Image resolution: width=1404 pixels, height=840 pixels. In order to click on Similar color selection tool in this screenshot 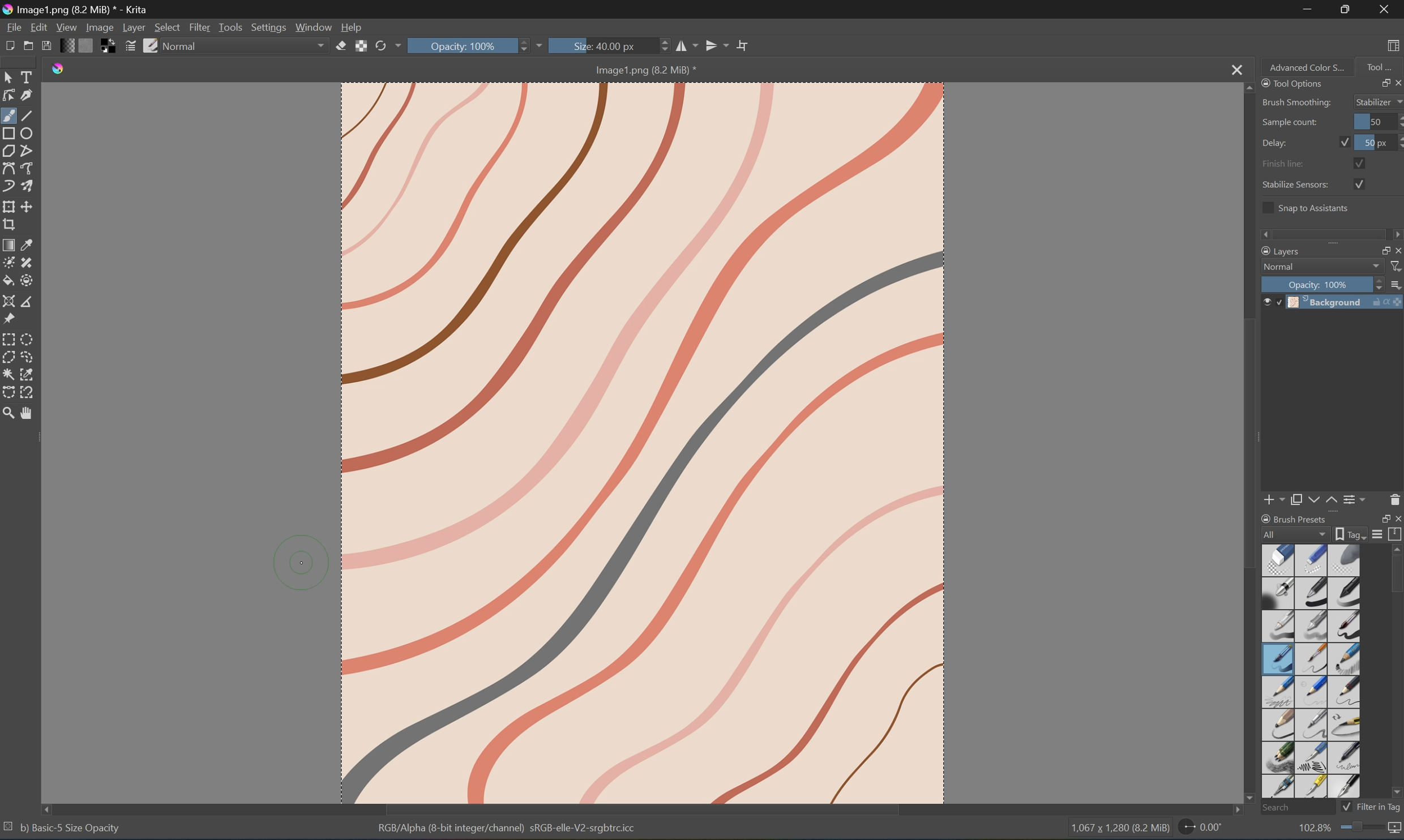, I will do `click(28, 374)`.